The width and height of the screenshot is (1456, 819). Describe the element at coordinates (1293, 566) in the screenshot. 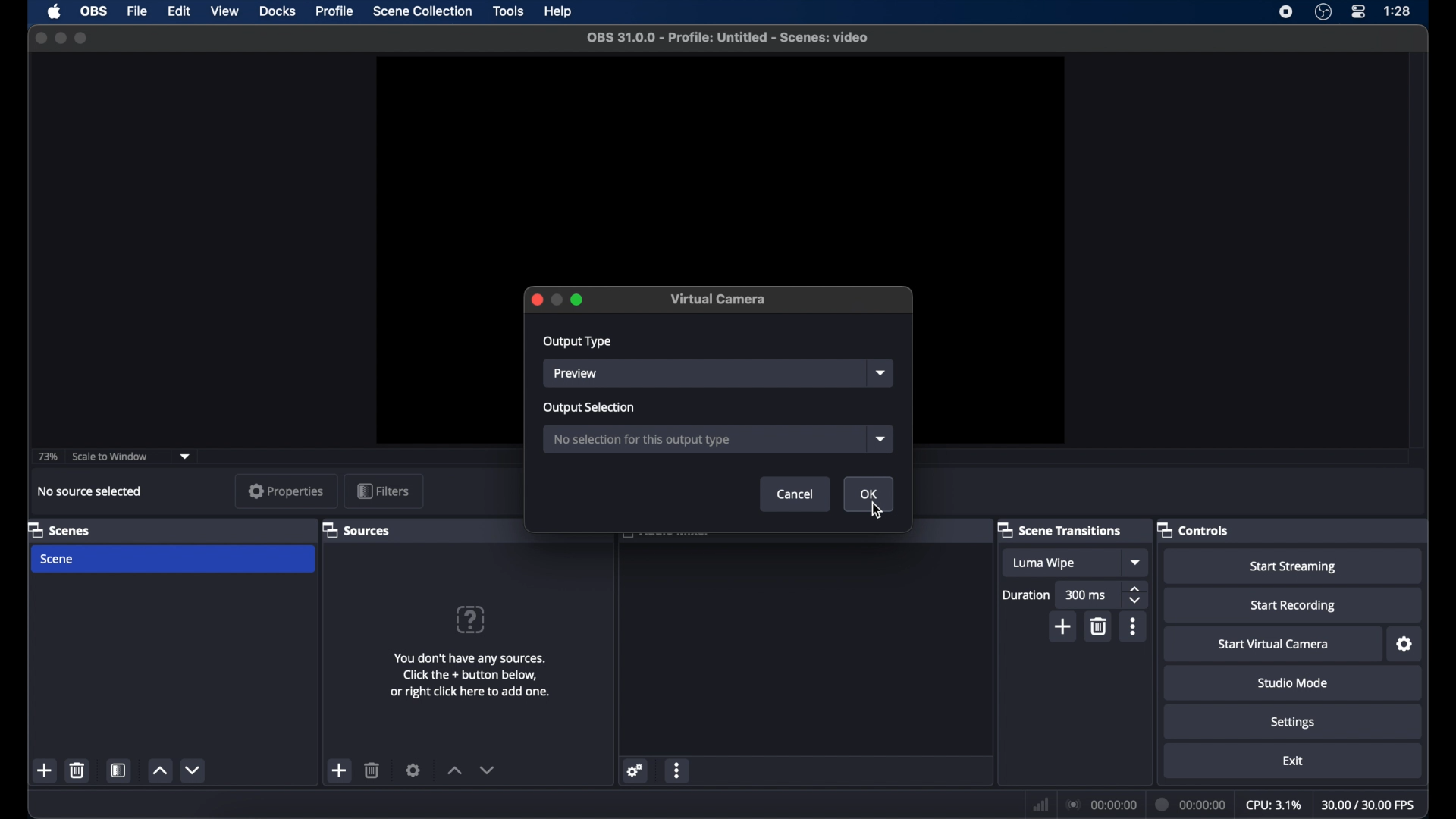

I see `start streaming` at that location.